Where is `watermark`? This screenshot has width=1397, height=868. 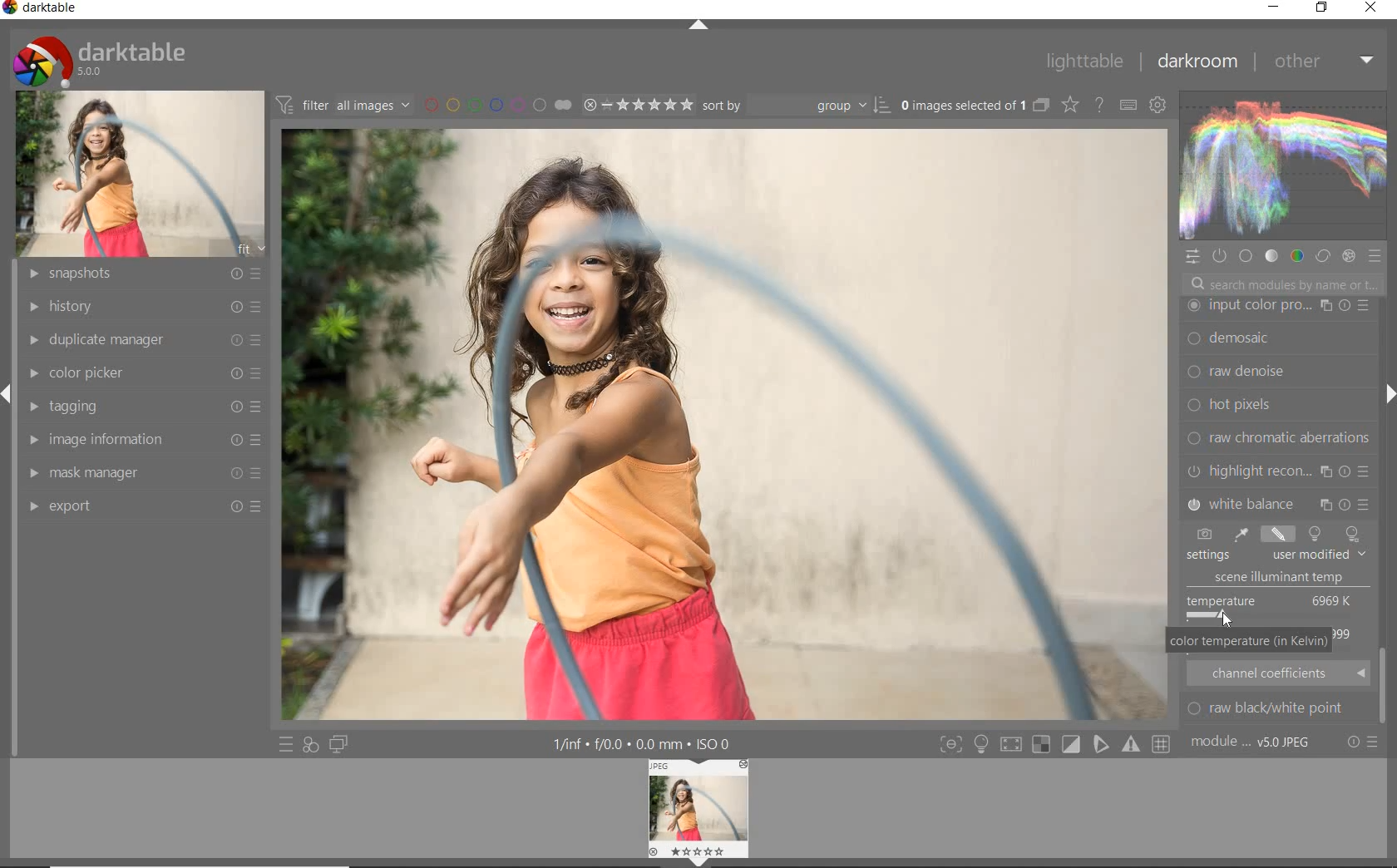
watermark is located at coordinates (1277, 306).